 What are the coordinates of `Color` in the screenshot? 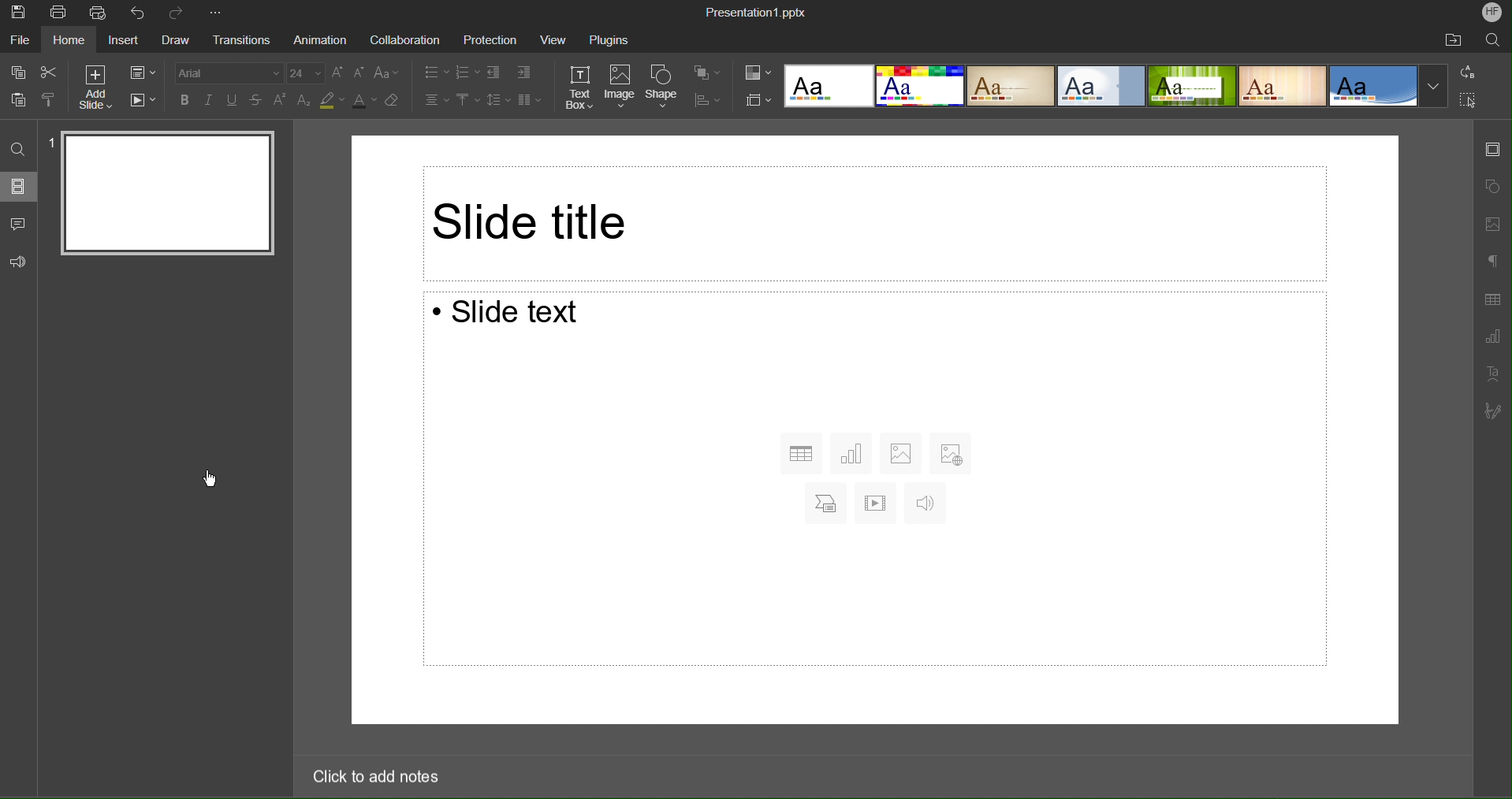 It's located at (758, 72).